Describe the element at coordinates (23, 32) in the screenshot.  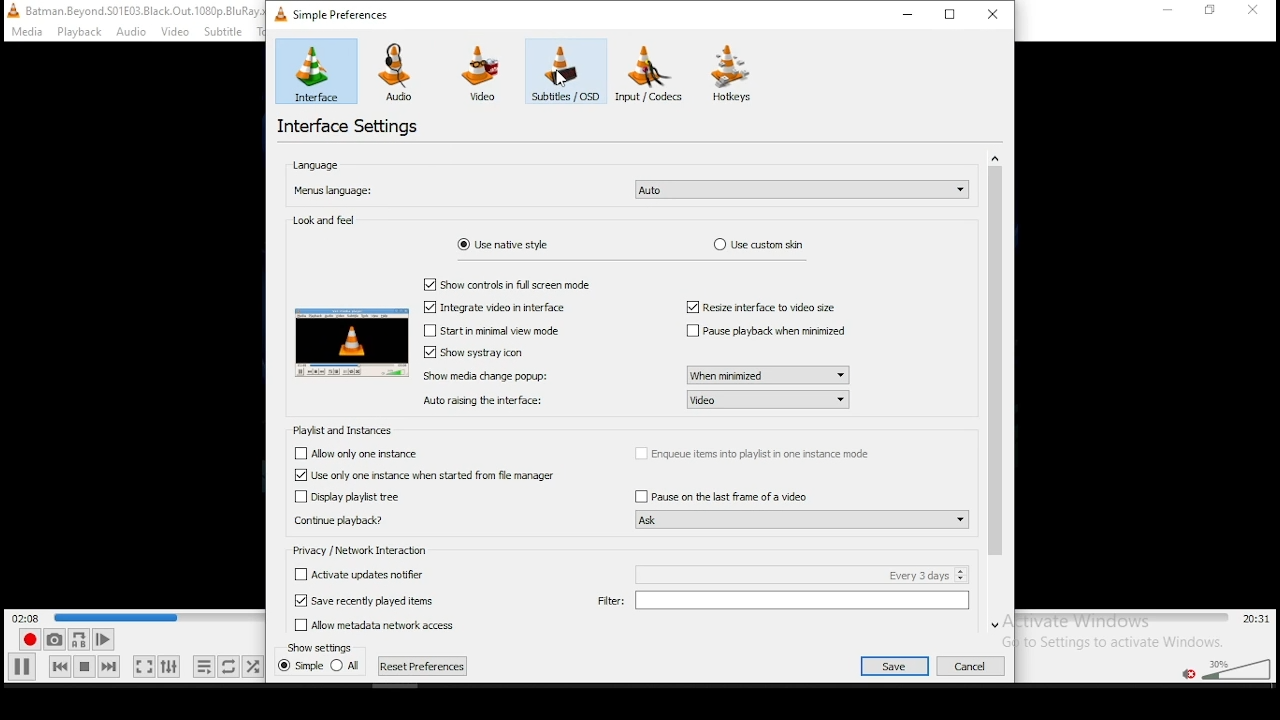
I see `` at that location.